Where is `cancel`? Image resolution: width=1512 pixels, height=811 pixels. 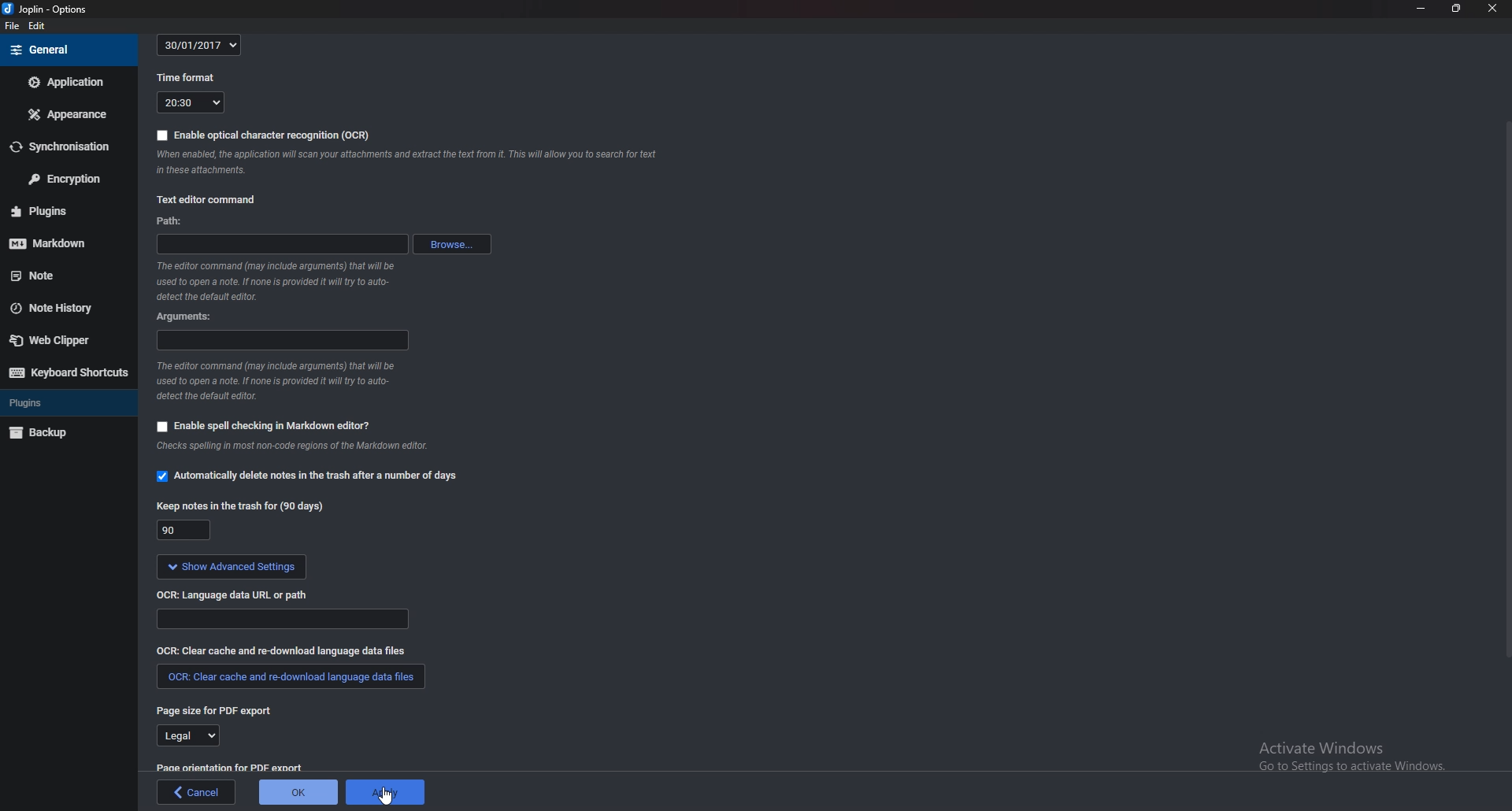
cancel is located at coordinates (196, 792).